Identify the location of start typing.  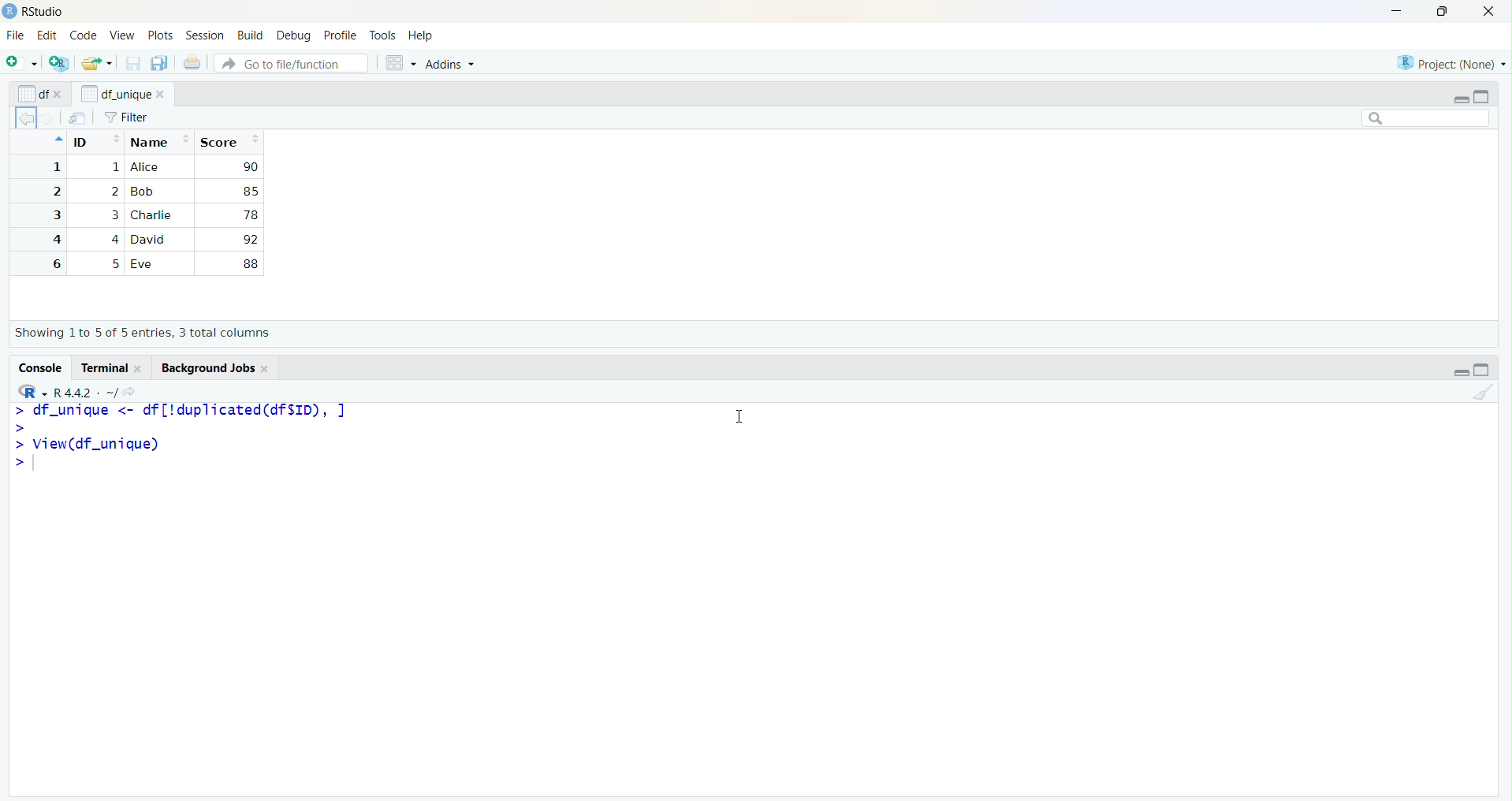
(17, 427).